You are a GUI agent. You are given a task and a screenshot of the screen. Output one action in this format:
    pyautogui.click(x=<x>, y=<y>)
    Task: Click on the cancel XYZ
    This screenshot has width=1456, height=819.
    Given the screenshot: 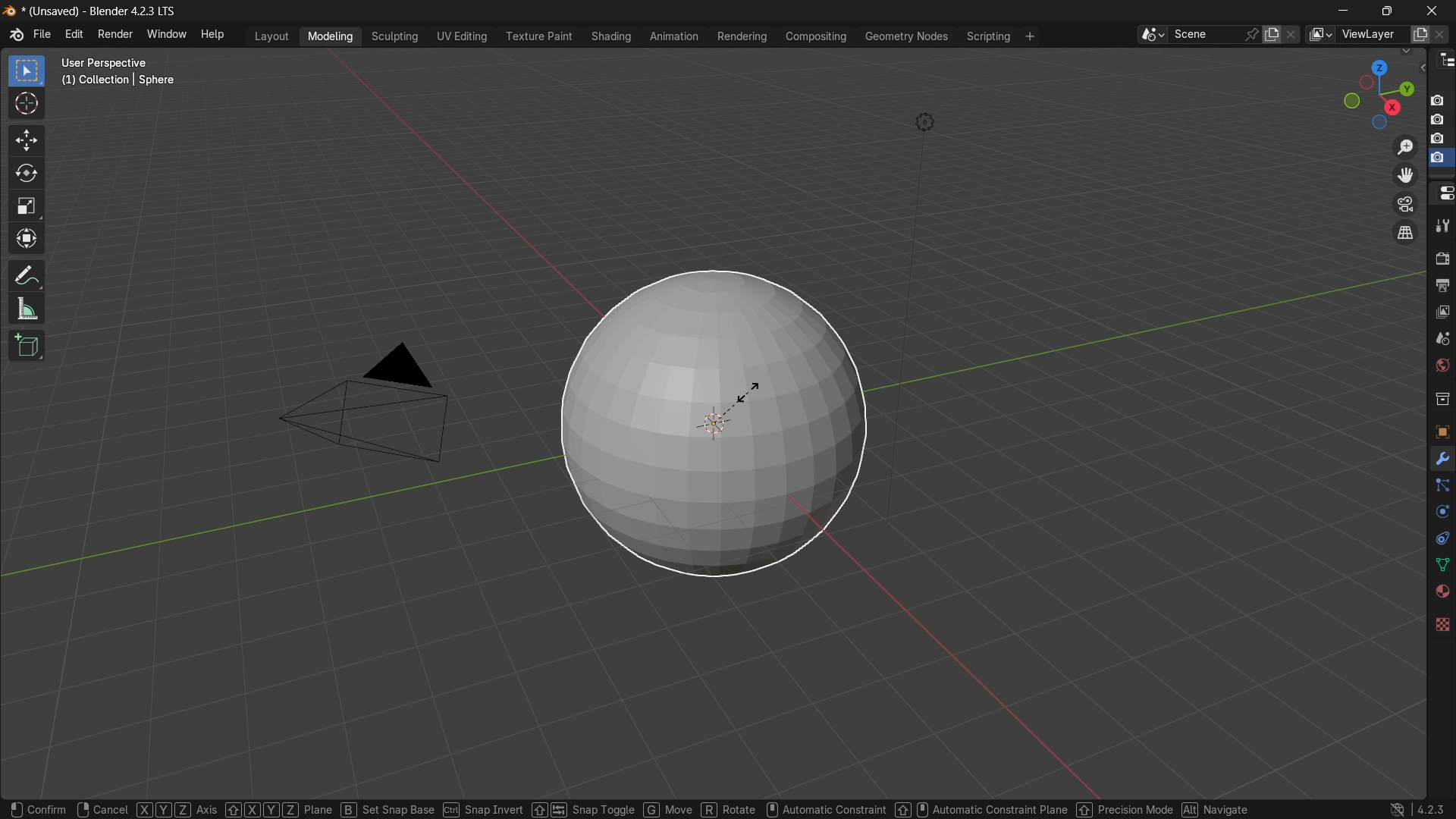 What is the action you would take?
    pyautogui.click(x=136, y=807)
    